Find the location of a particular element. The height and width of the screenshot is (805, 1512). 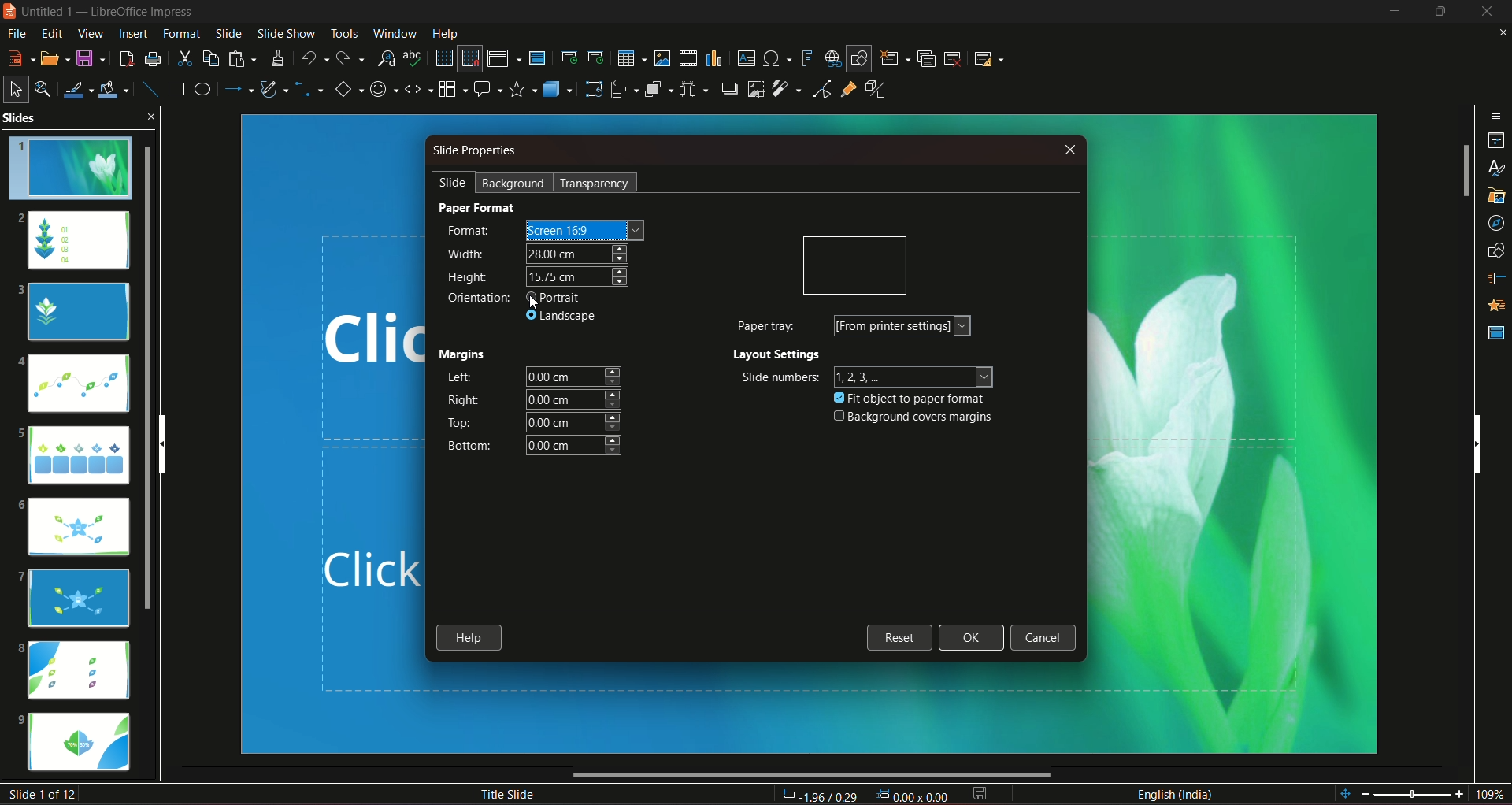

slide 1 is located at coordinates (76, 166).